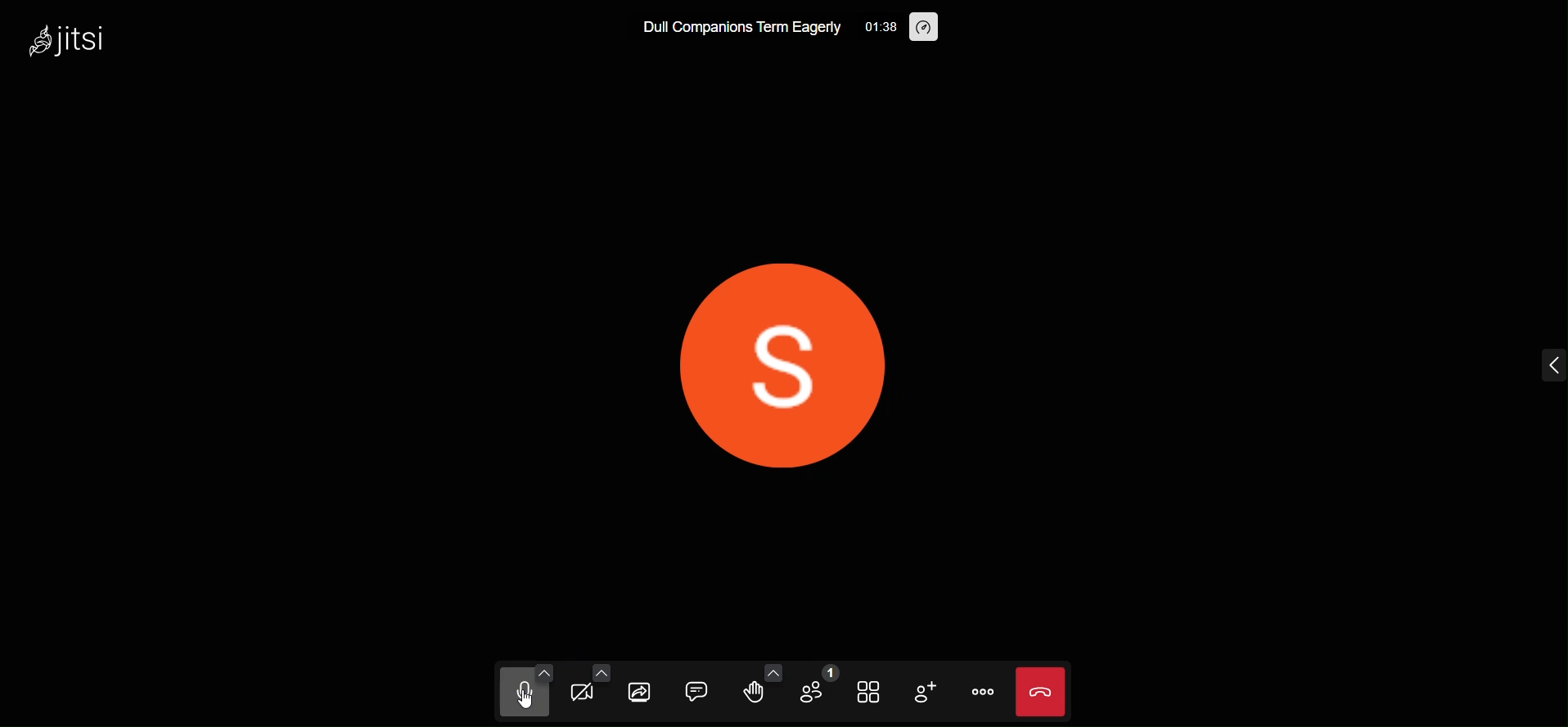 The image size is (1568, 727). I want to click on raise hand, so click(753, 695).